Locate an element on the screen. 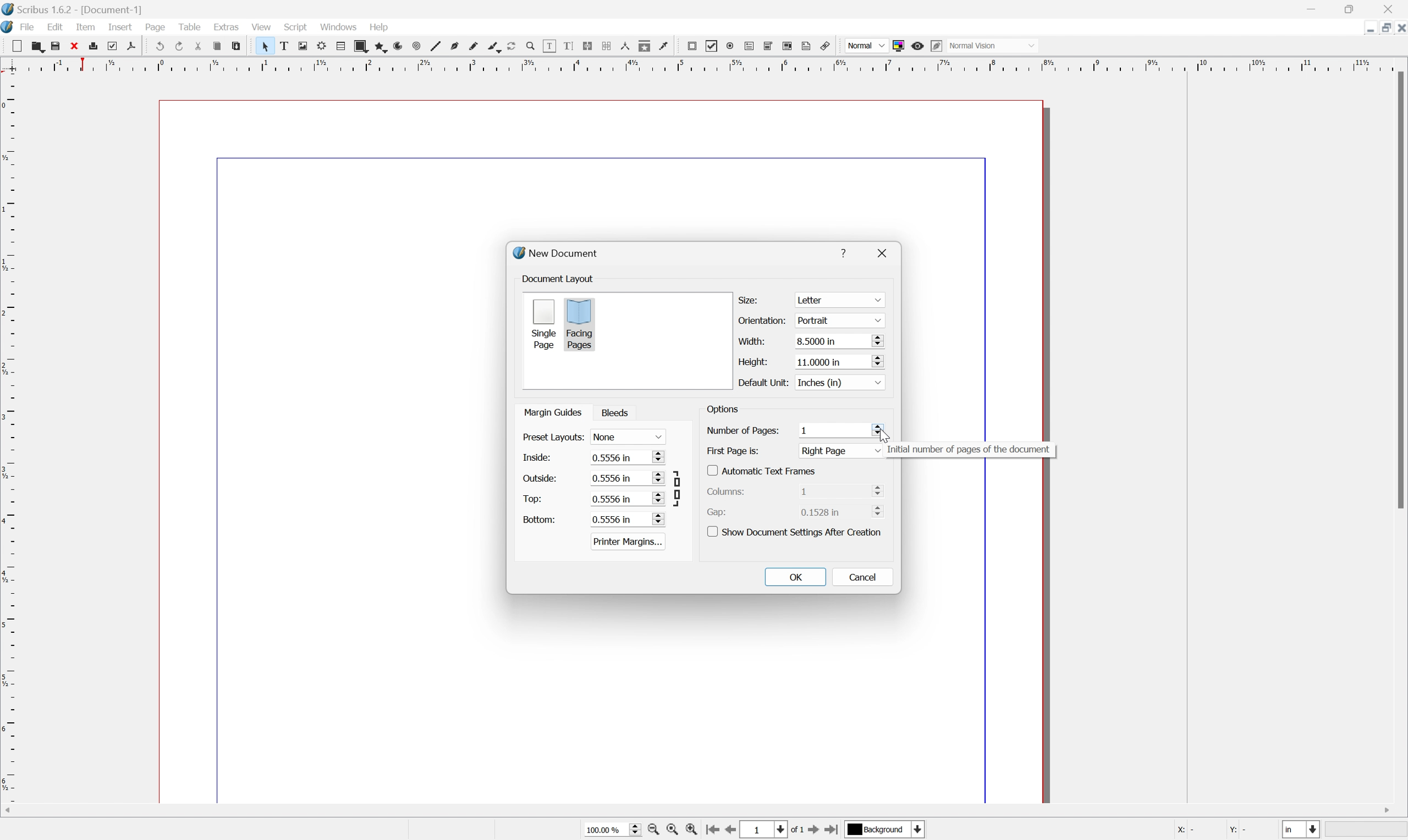  Edit in preview mode is located at coordinates (939, 46).